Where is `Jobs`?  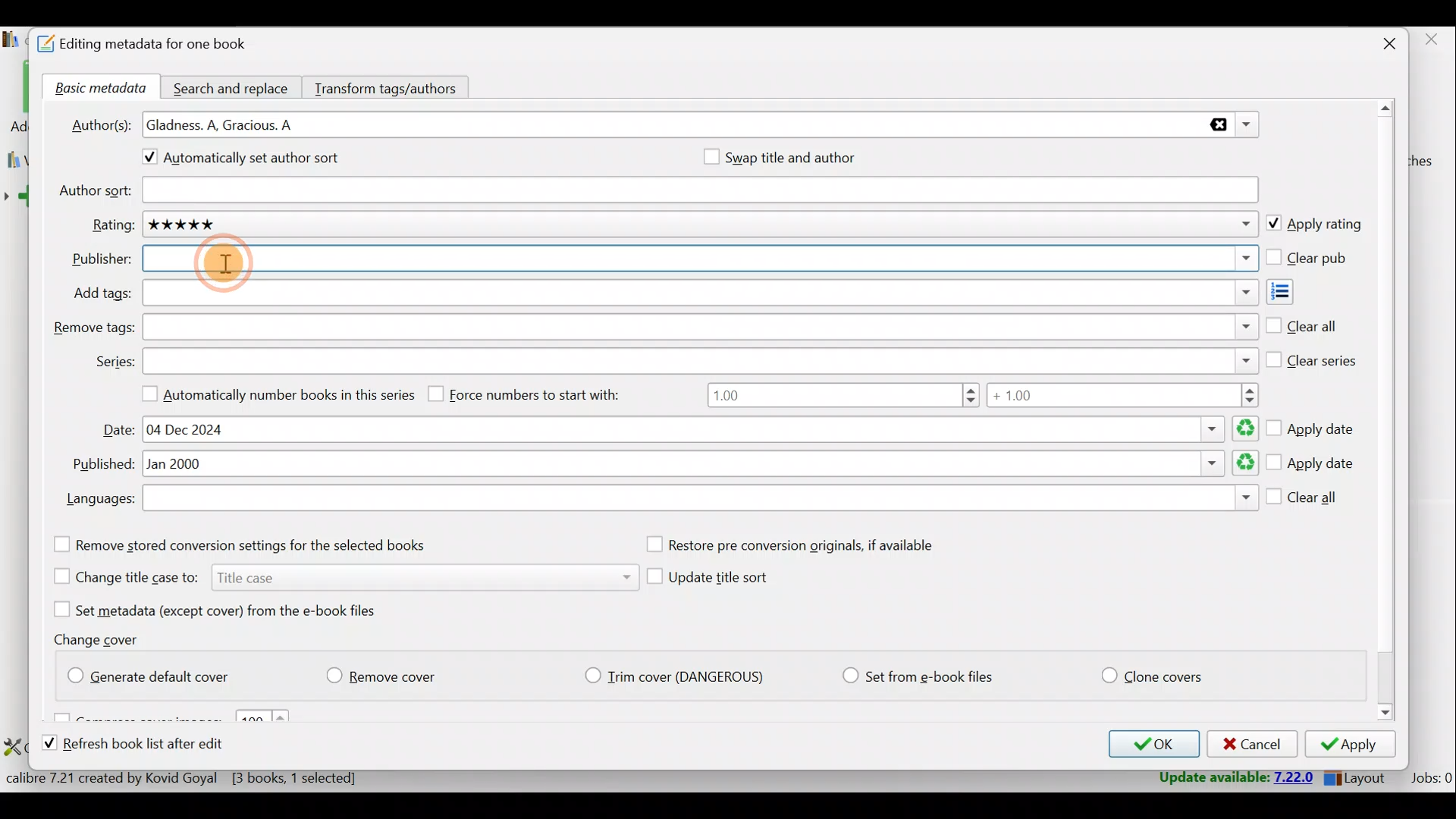 Jobs is located at coordinates (1430, 777).